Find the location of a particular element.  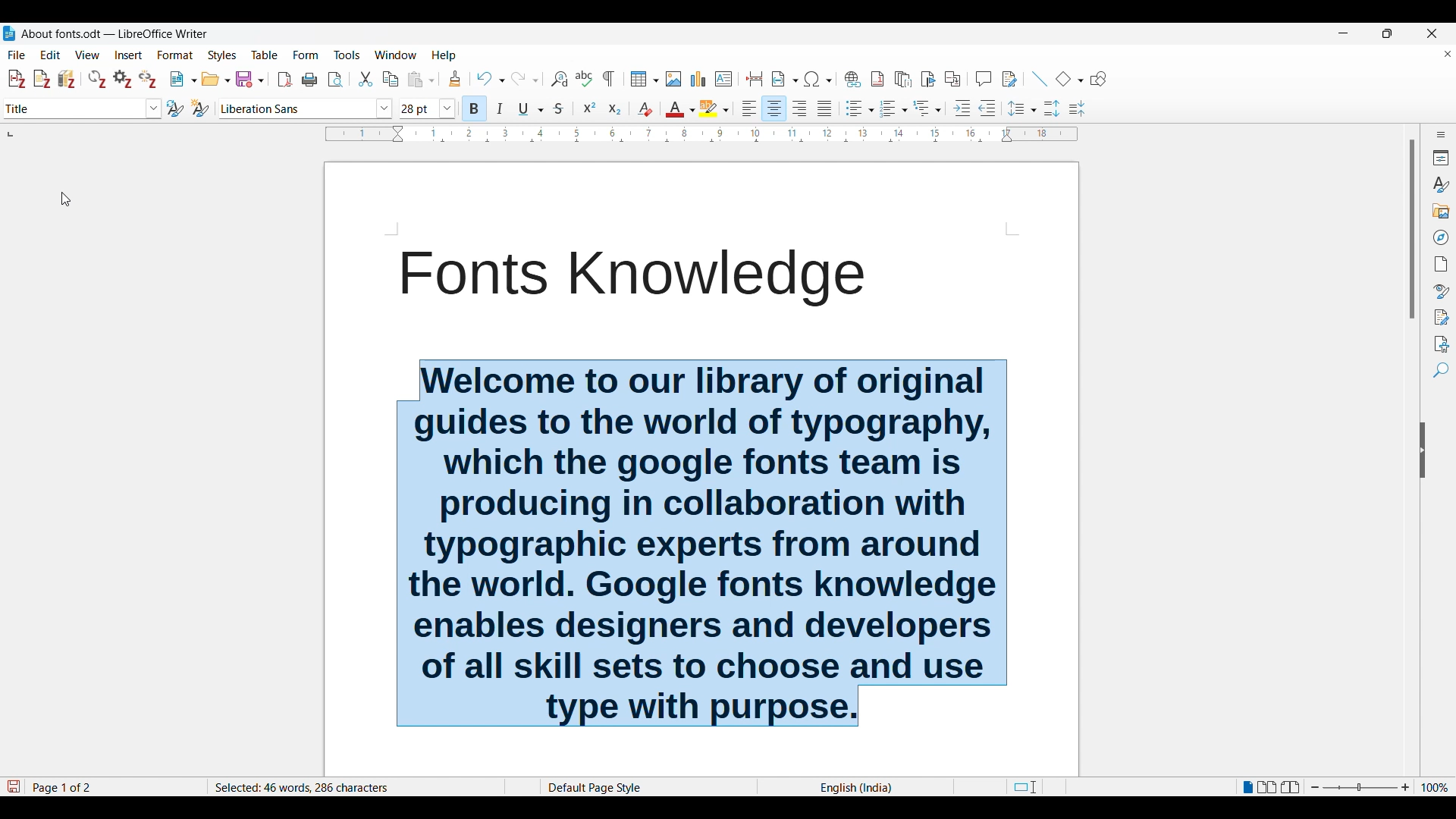

Page cut is located at coordinates (1037, 786).